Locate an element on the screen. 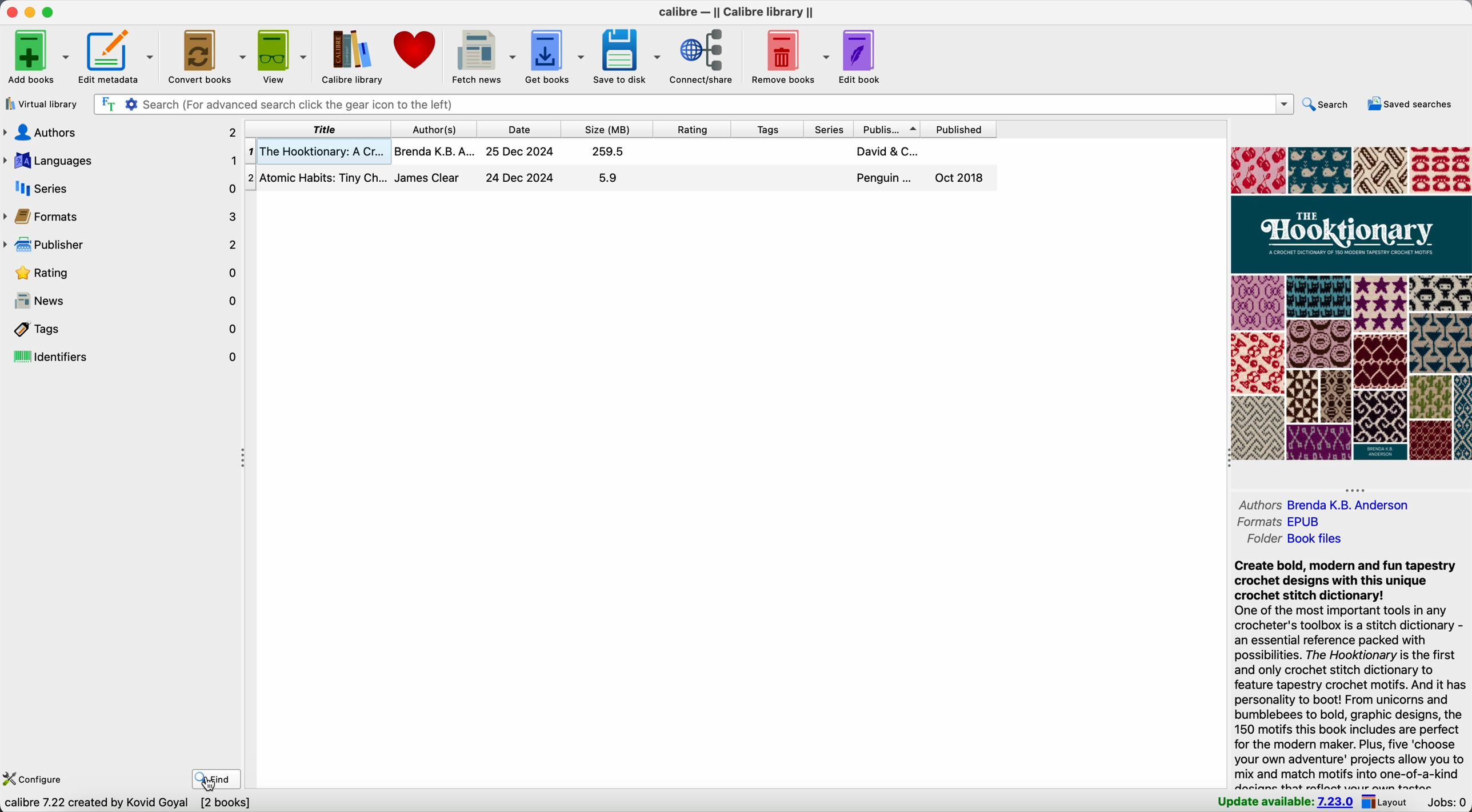 Image resolution: width=1472 pixels, height=812 pixels. convert books is located at coordinates (210, 56).